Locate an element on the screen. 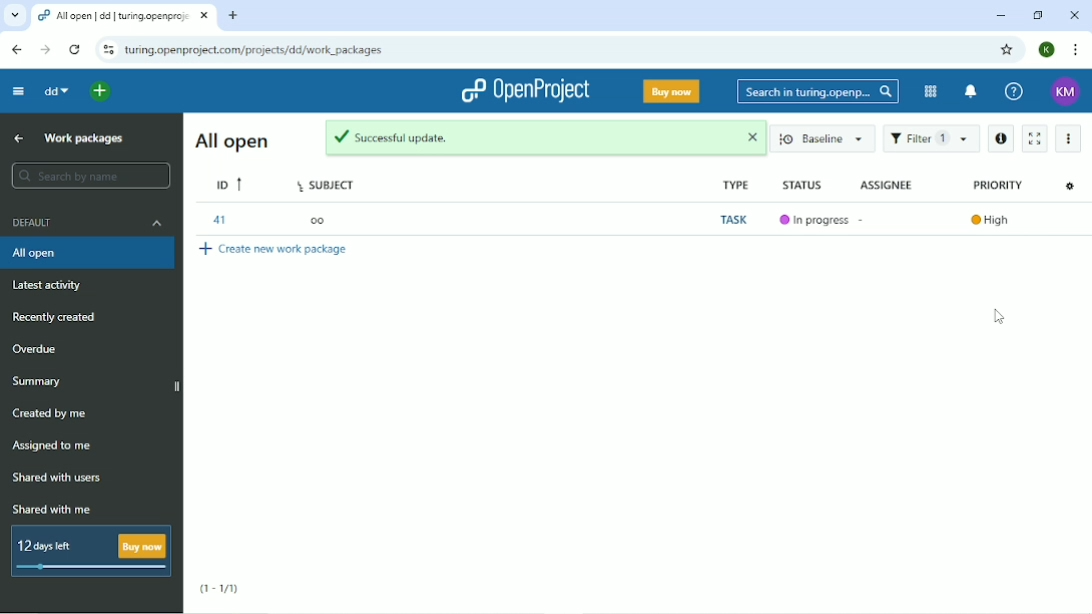 The height and width of the screenshot is (614, 1092). Modules is located at coordinates (929, 92).